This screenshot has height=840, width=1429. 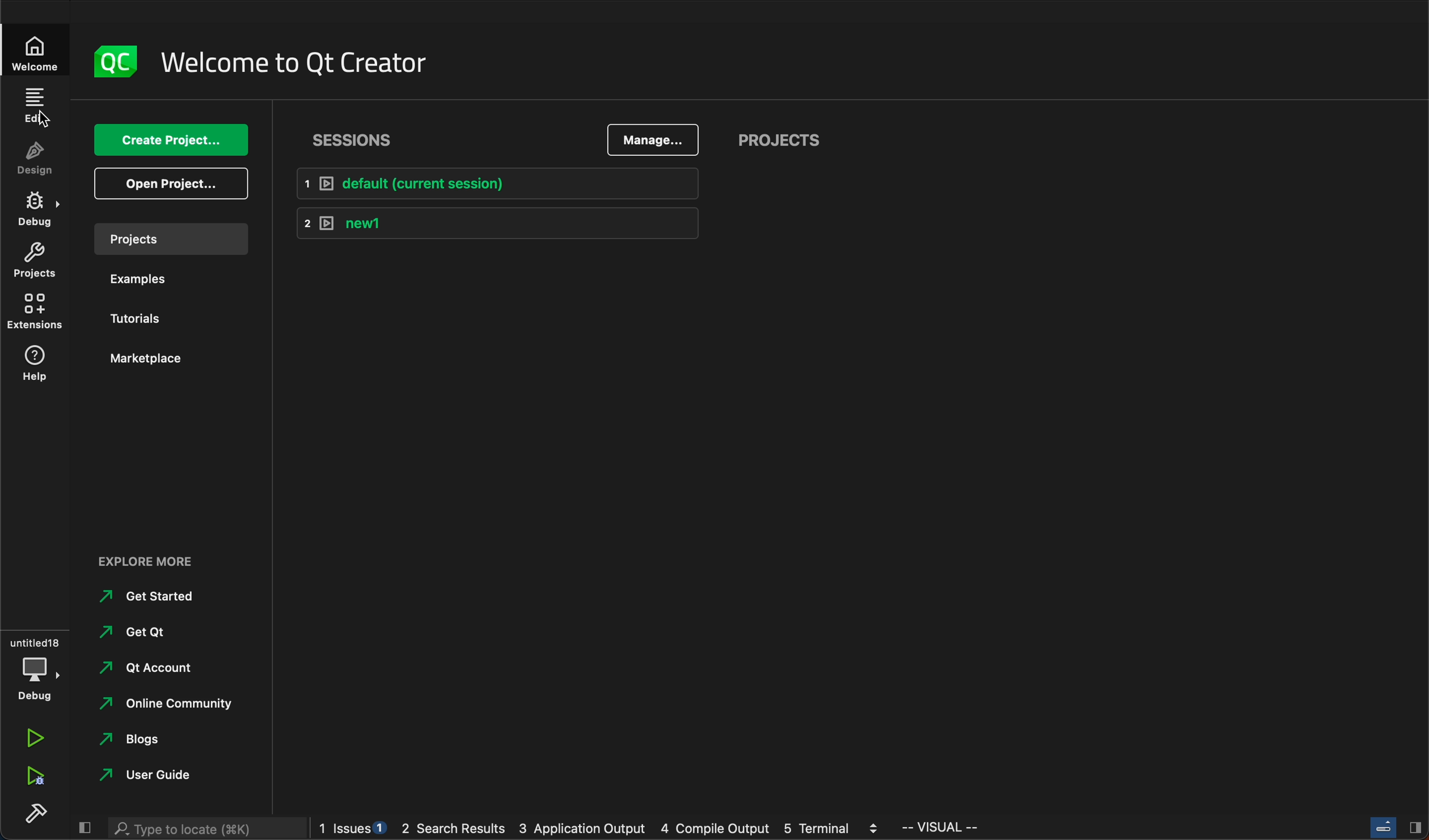 I want to click on welcome, so click(x=38, y=51).